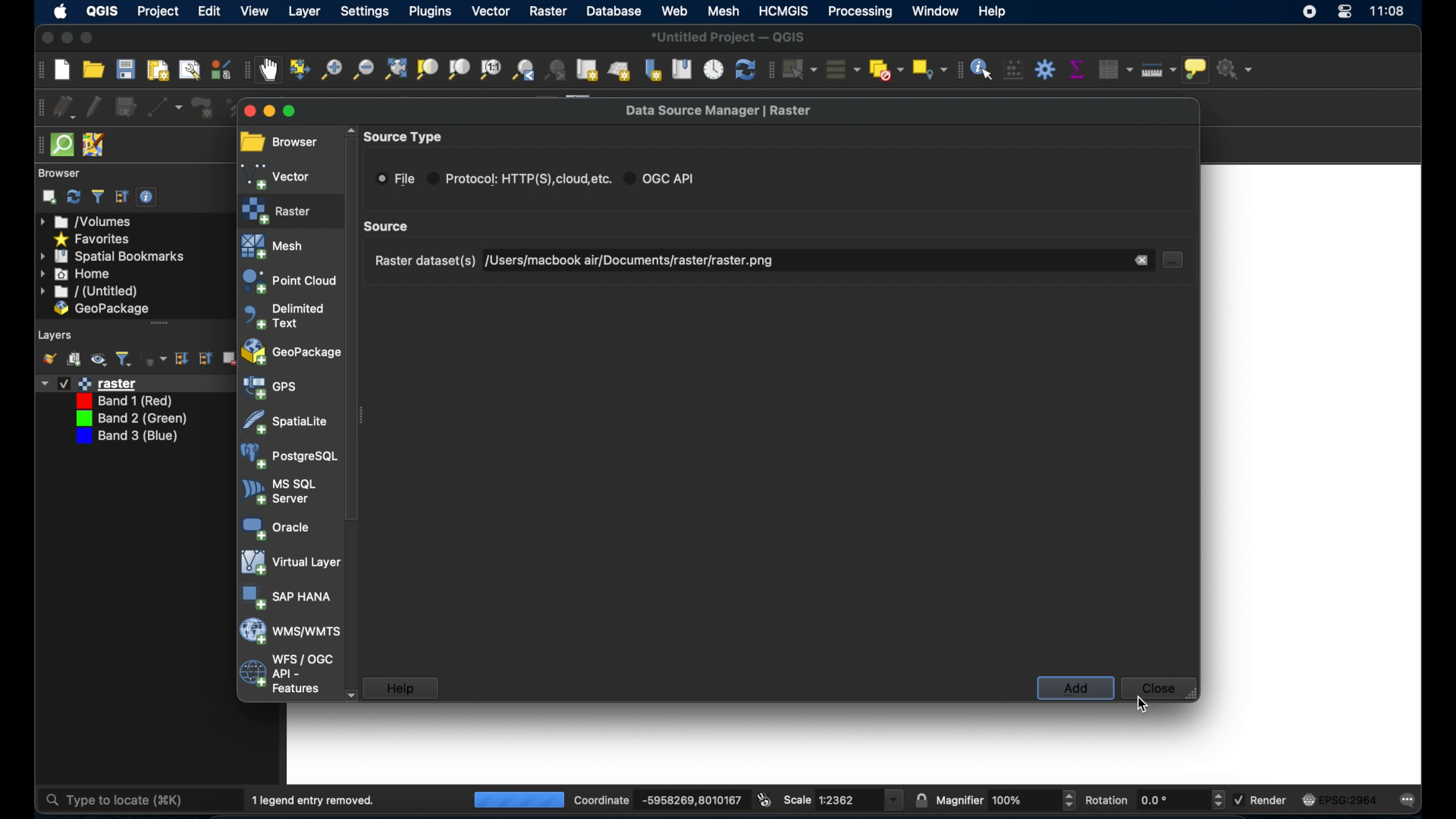 The height and width of the screenshot is (819, 1456). I want to click on volumes, so click(87, 222).